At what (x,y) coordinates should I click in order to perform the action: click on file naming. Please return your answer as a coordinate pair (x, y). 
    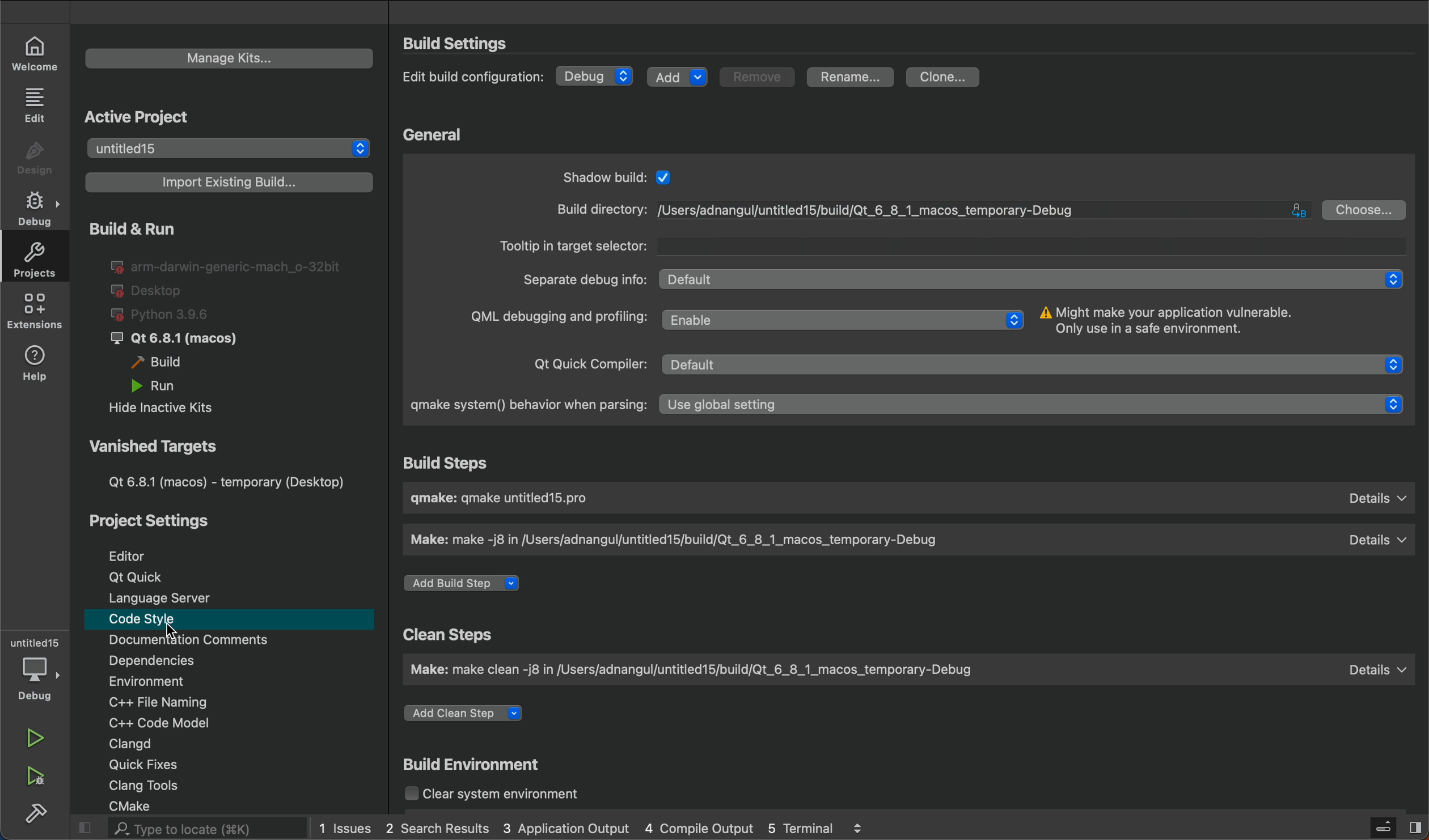
    Looking at the image, I should click on (172, 701).